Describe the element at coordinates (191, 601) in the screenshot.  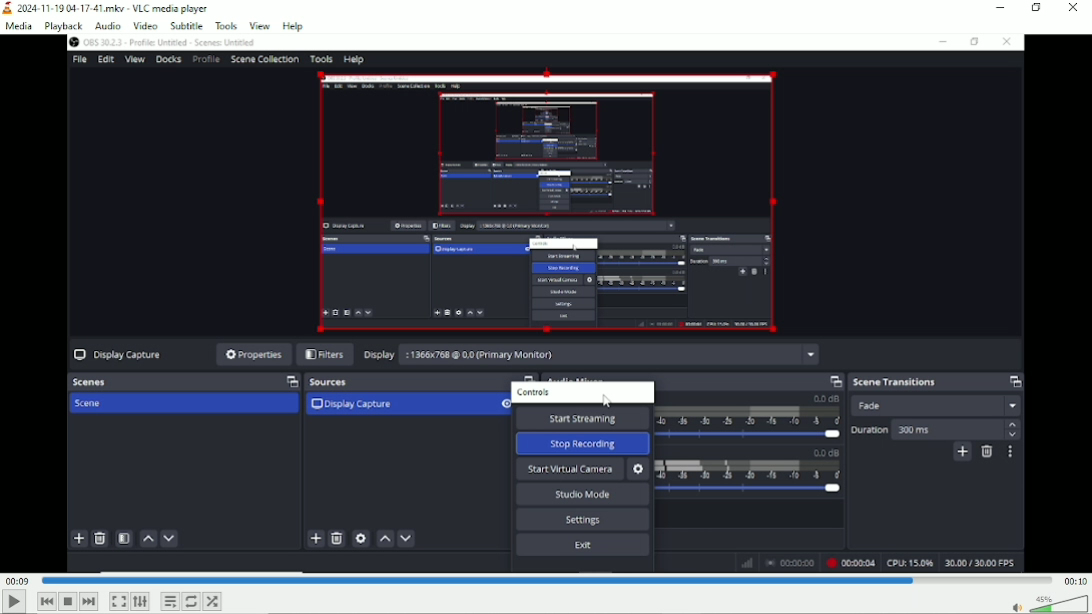
I see `Toggle between loop all, loop one and no loop` at that location.